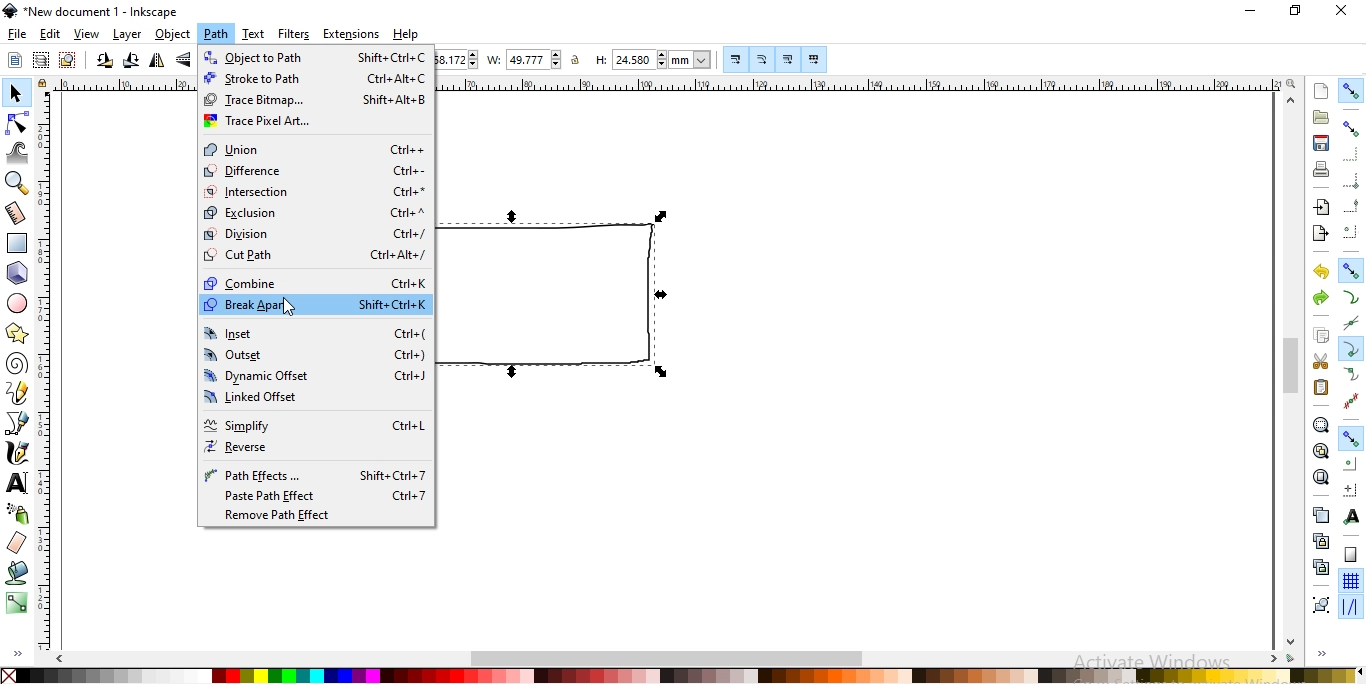  Describe the element at coordinates (310, 122) in the screenshot. I see `trace pixel art..` at that location.